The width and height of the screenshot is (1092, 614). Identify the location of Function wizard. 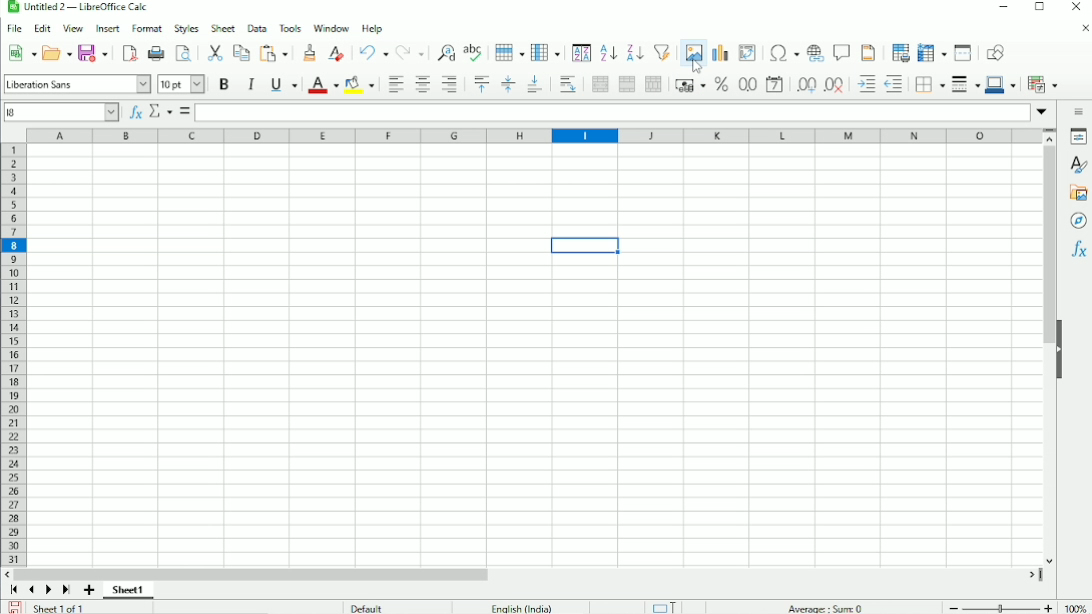
(134, 112).